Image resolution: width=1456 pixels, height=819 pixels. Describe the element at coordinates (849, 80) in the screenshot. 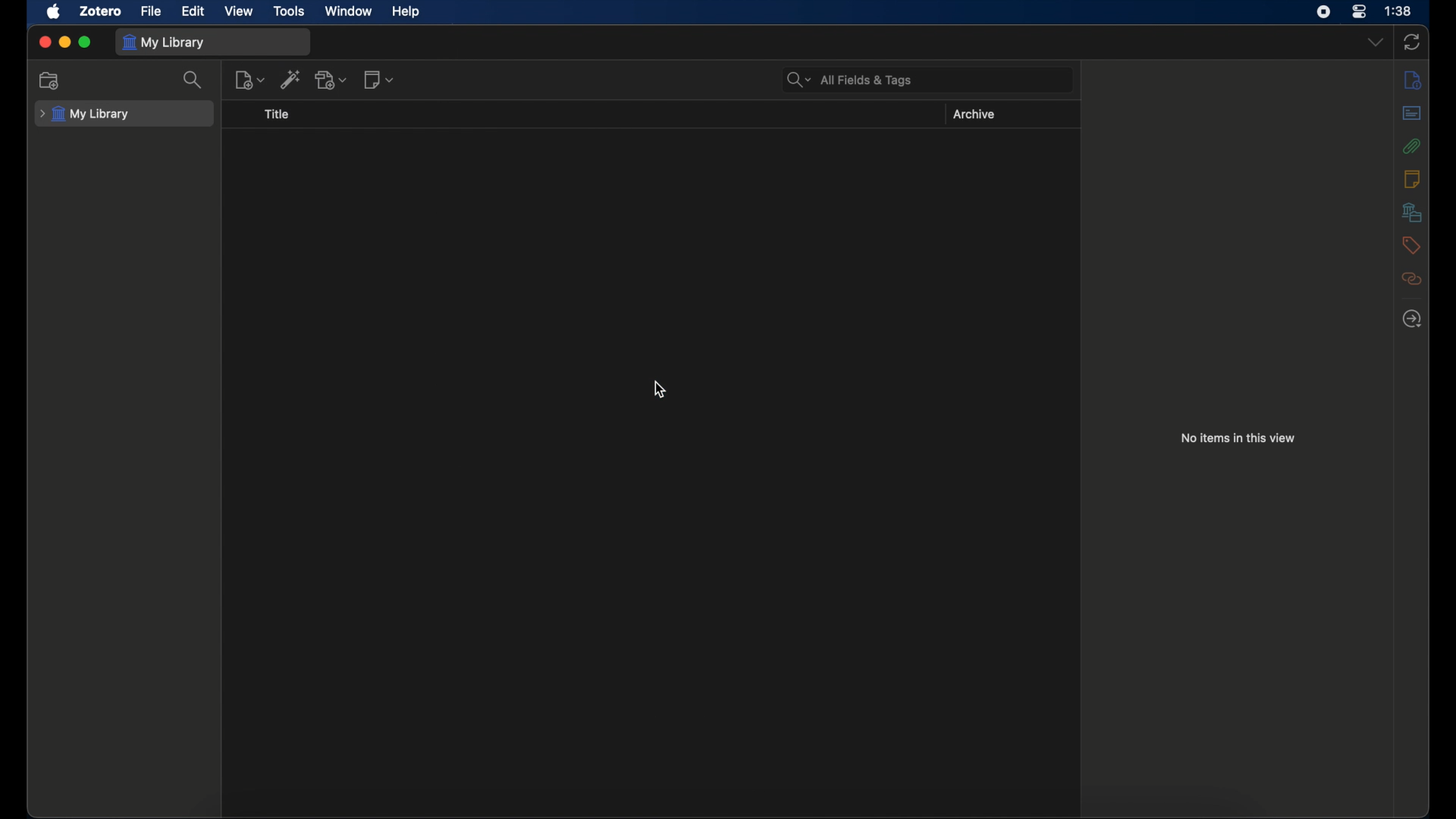

I see `All fields & tags` at that location.